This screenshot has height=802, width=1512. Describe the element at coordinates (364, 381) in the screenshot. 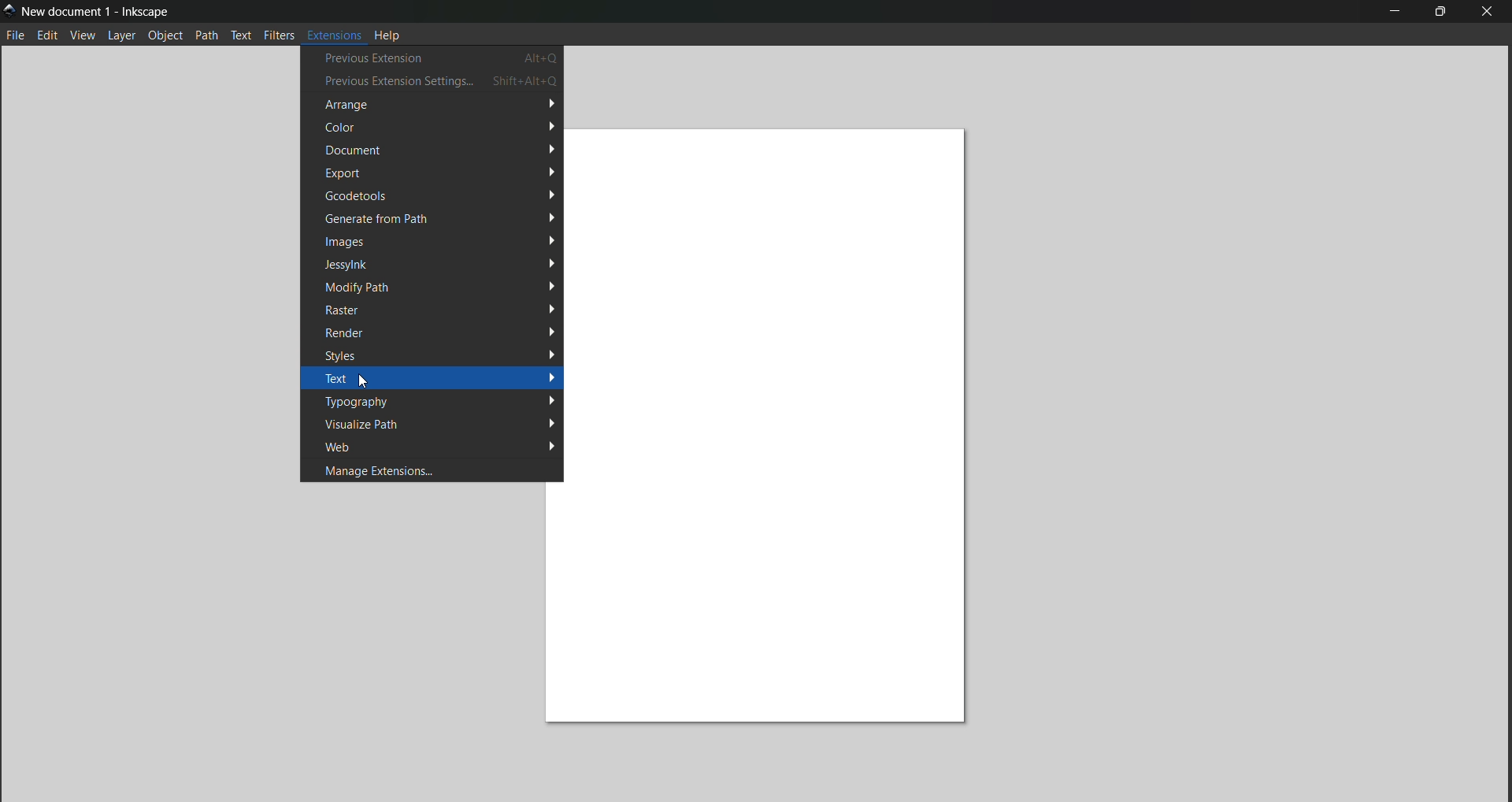

I see `cursor` at that location.